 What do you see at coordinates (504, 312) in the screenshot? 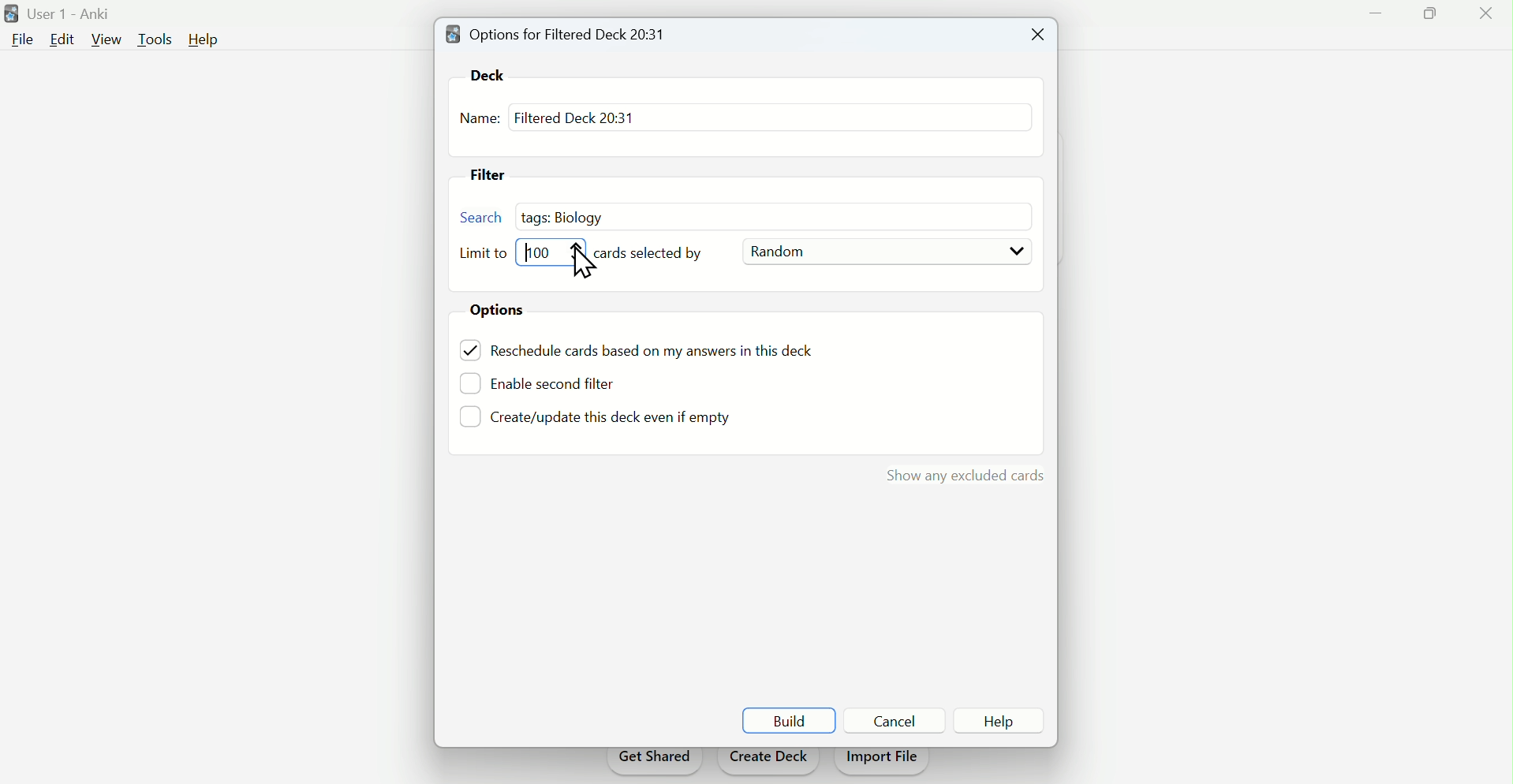
I see `Options` at bounding box center [504, 312].